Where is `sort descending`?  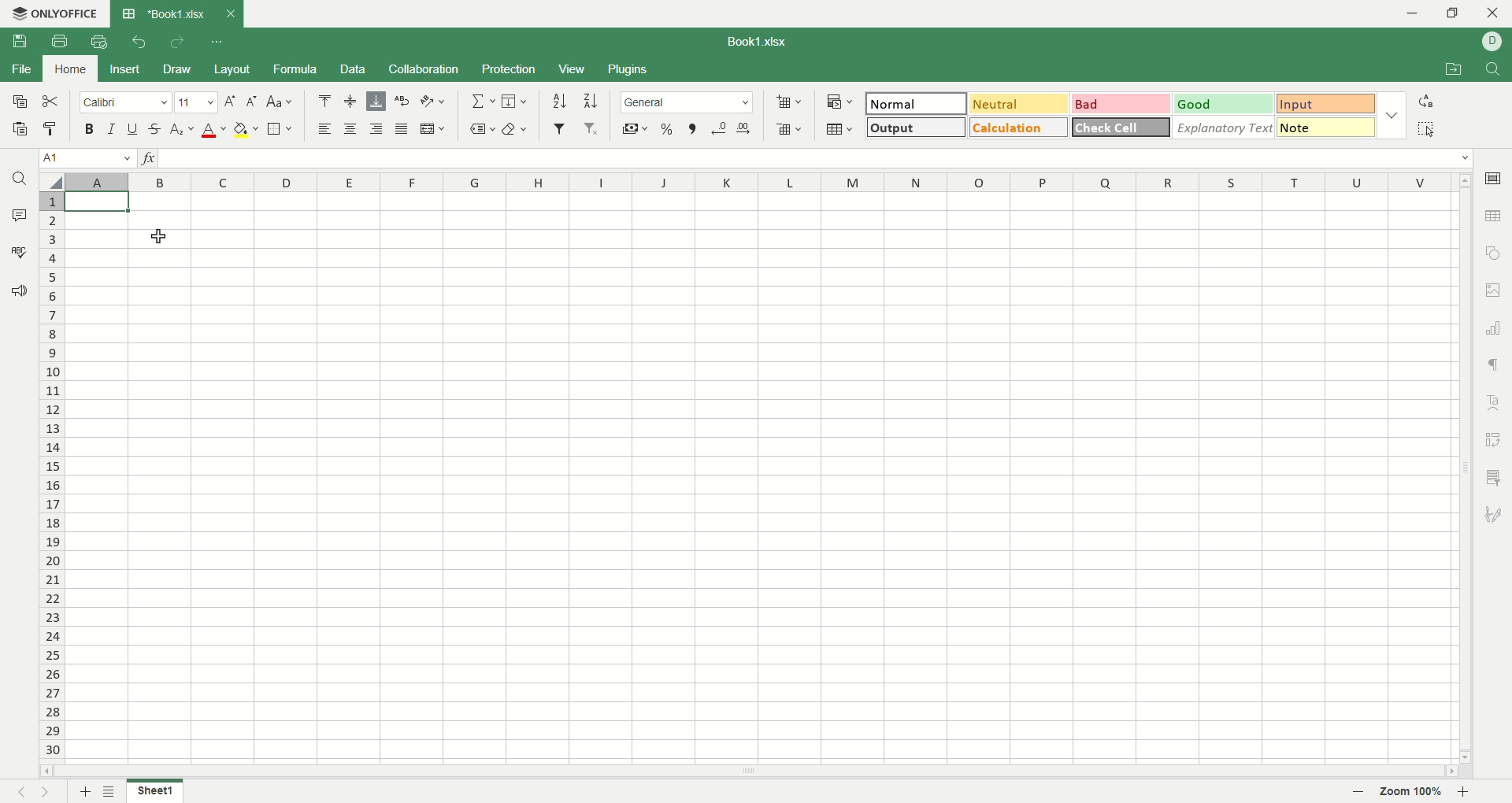 sort descending is located at coordinates (589, 100).